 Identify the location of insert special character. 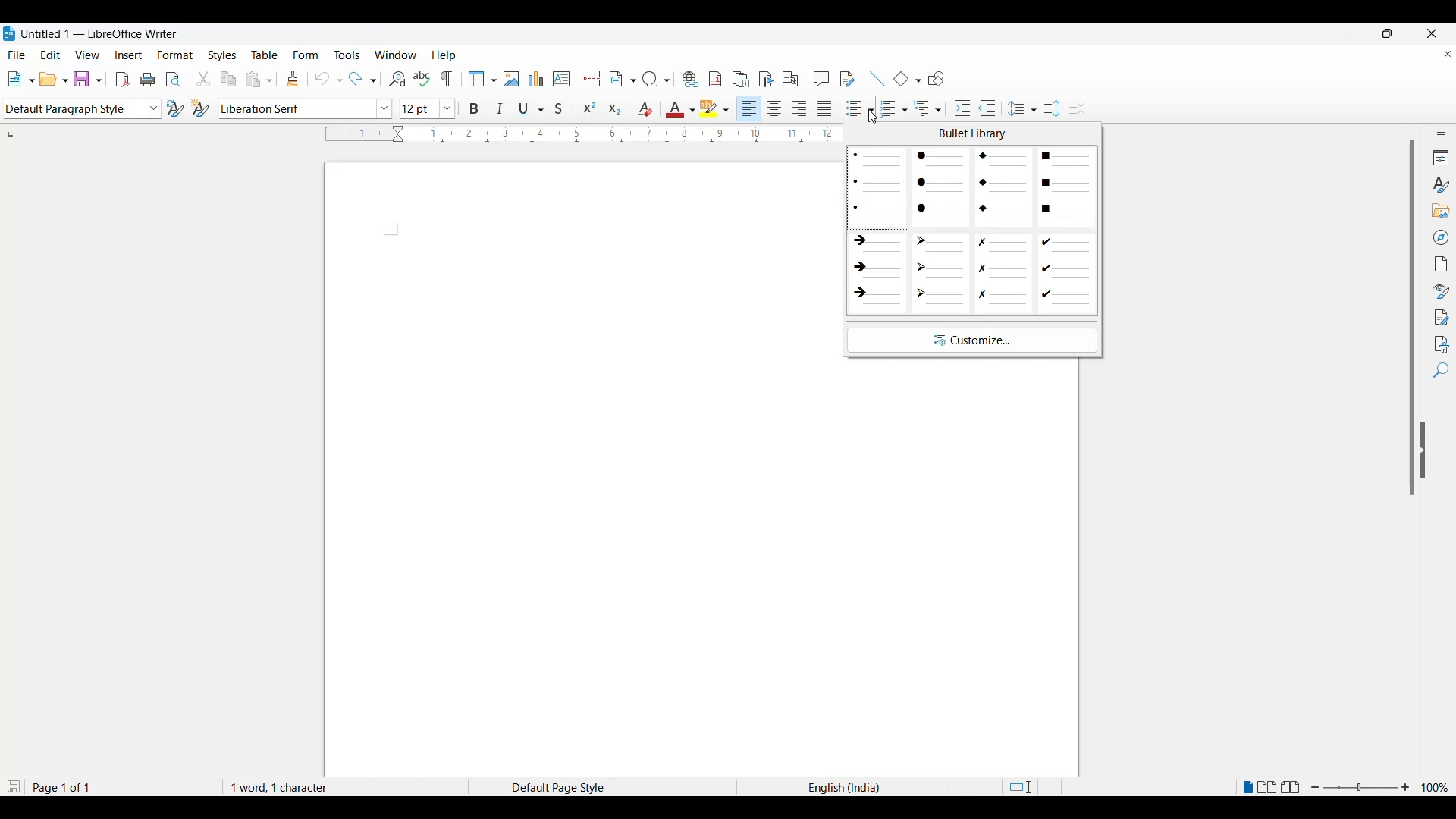
(656, 79).